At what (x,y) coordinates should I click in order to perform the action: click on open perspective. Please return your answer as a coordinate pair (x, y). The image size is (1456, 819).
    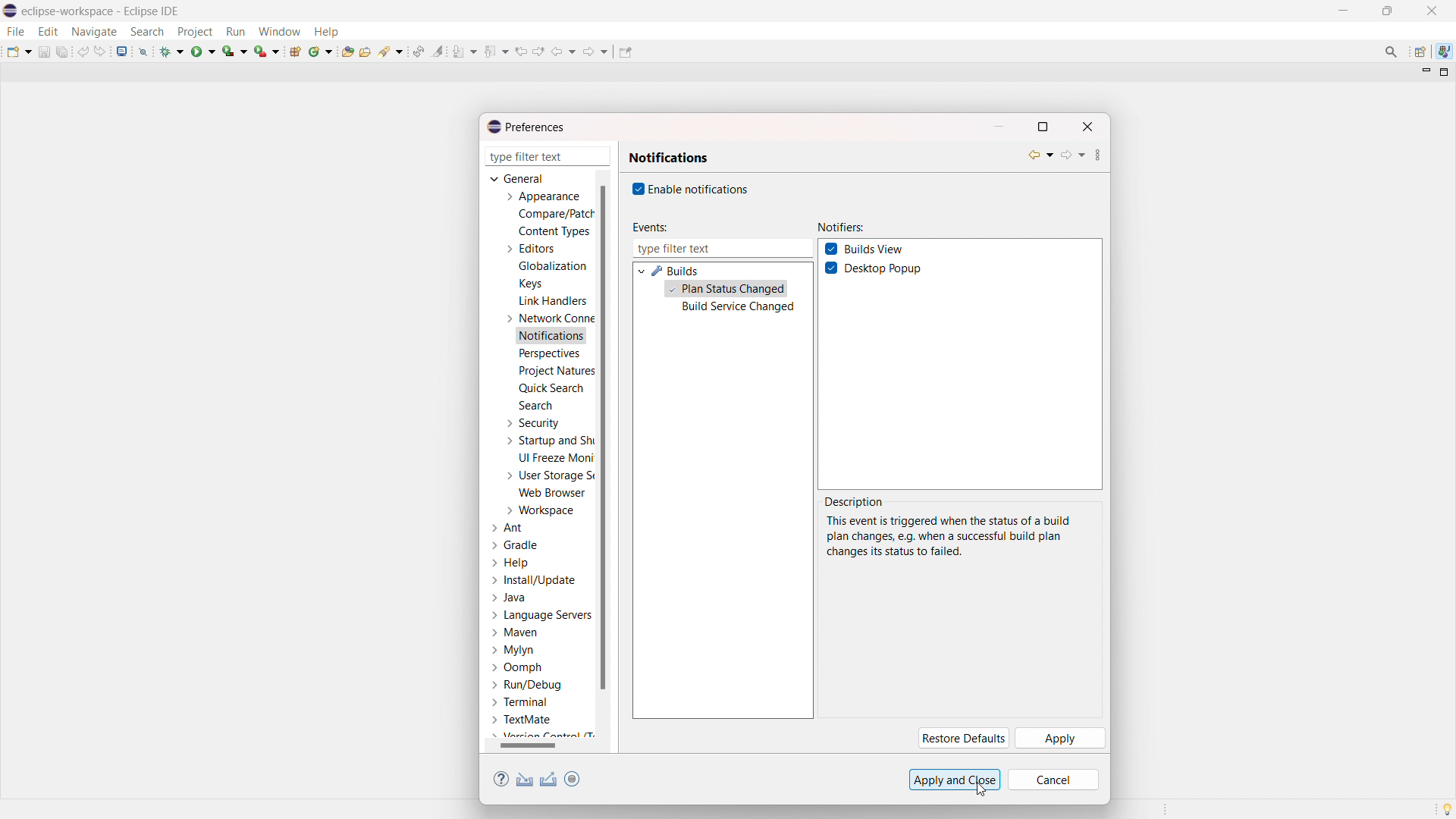
    Looking at the image, I should click on (1419, 52).